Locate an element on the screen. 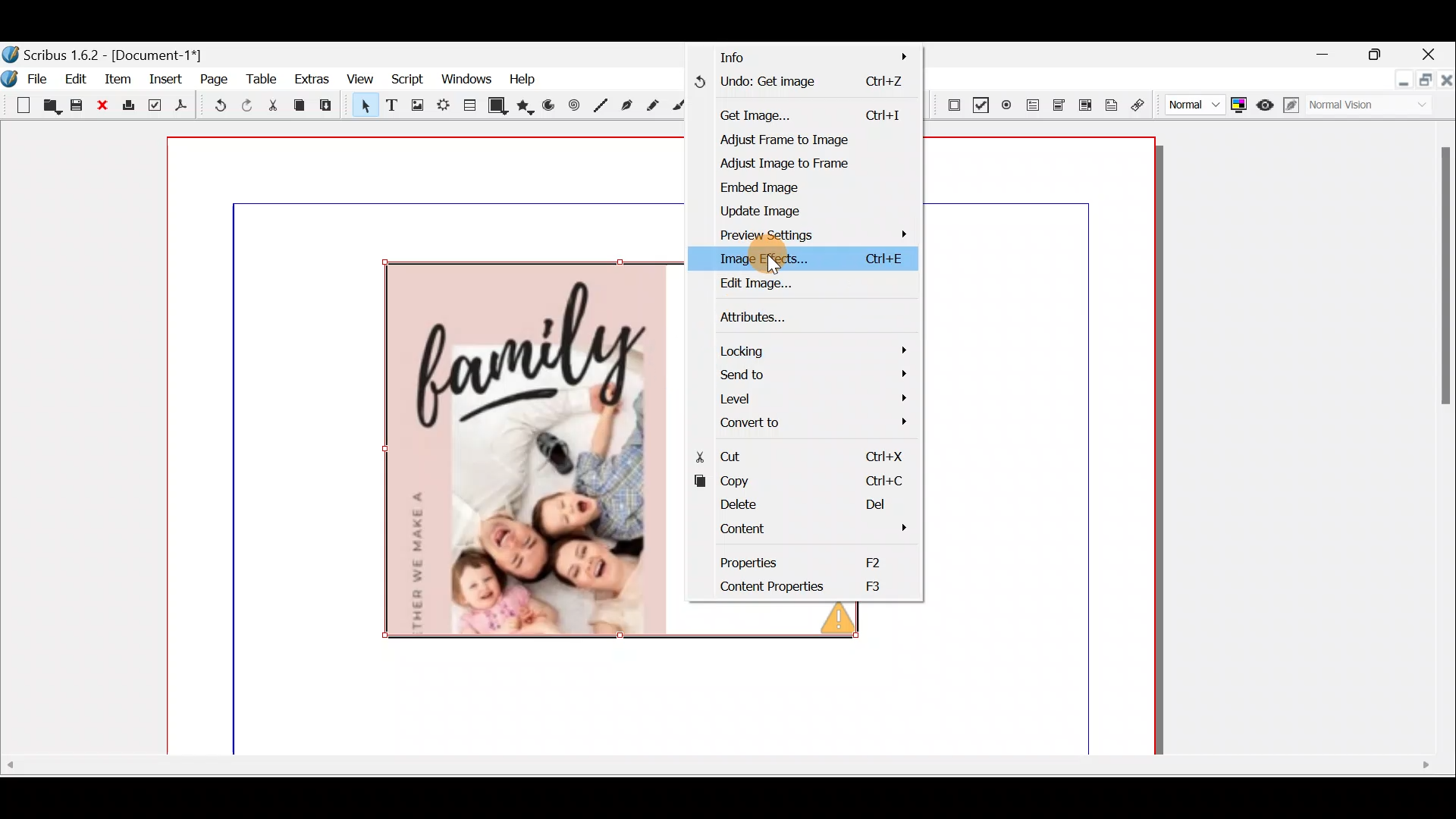 Image resolution: width=1456 pixels, height=819 pixels. Scroll bar is located at coordinates (1445, 441).